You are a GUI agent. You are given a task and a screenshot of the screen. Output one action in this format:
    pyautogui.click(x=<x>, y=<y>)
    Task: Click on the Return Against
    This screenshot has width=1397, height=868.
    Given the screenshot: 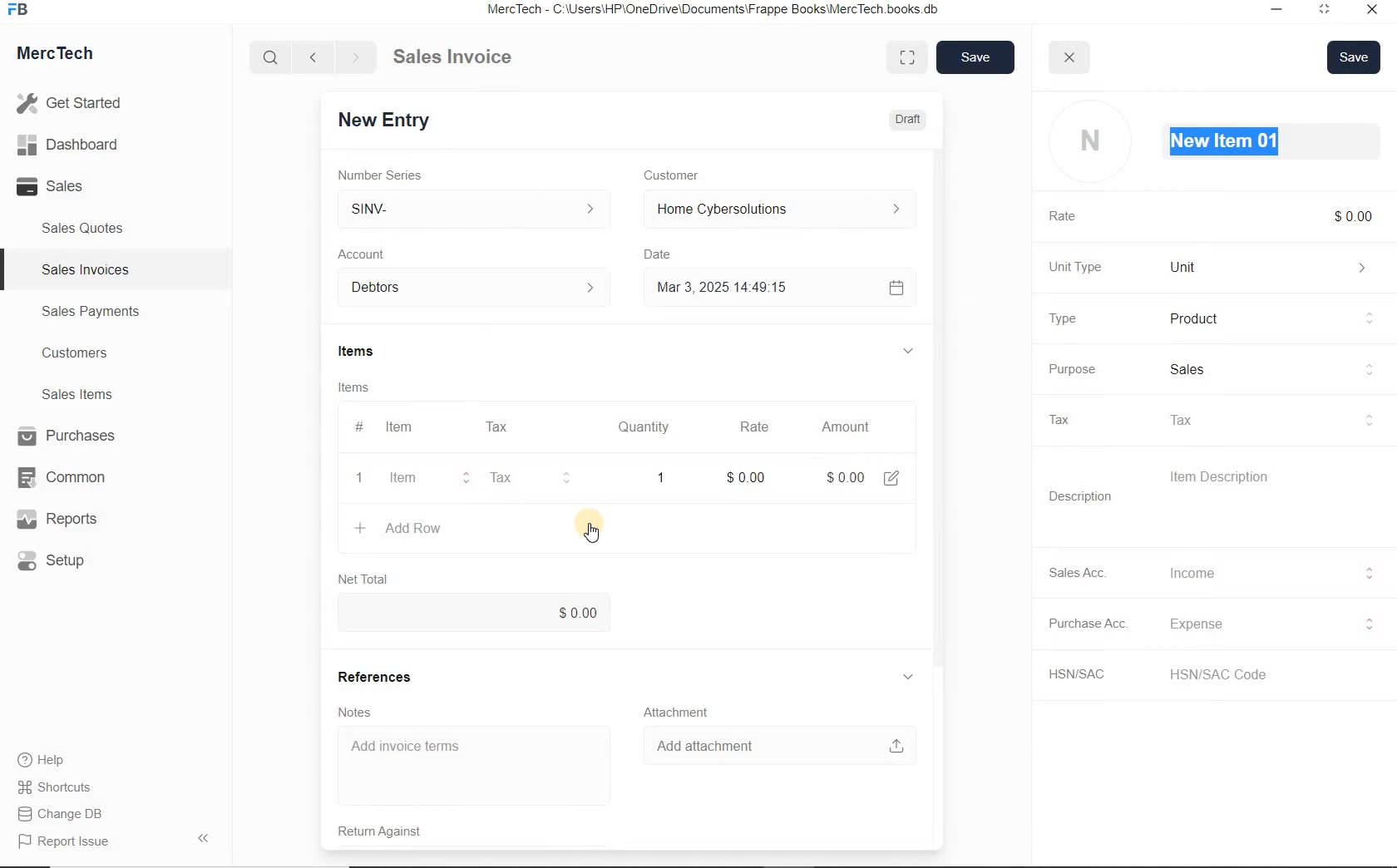 What is the action you would take?
    pyautogui.click(x=391, y=830)
    